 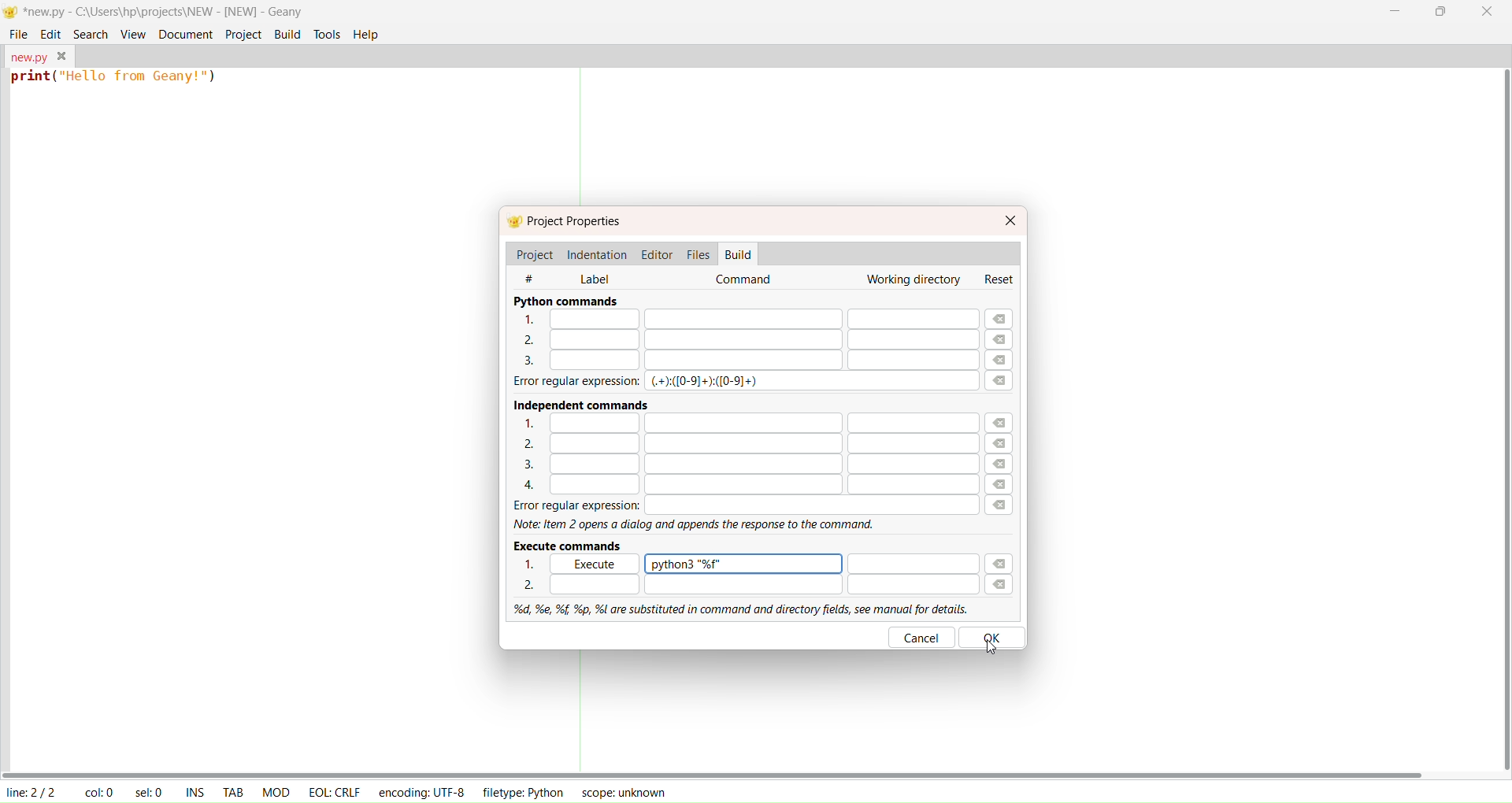 What do you see at coordinates (328, 35) in the screenshot?
I see `tools` at bounding box center [328, 35].